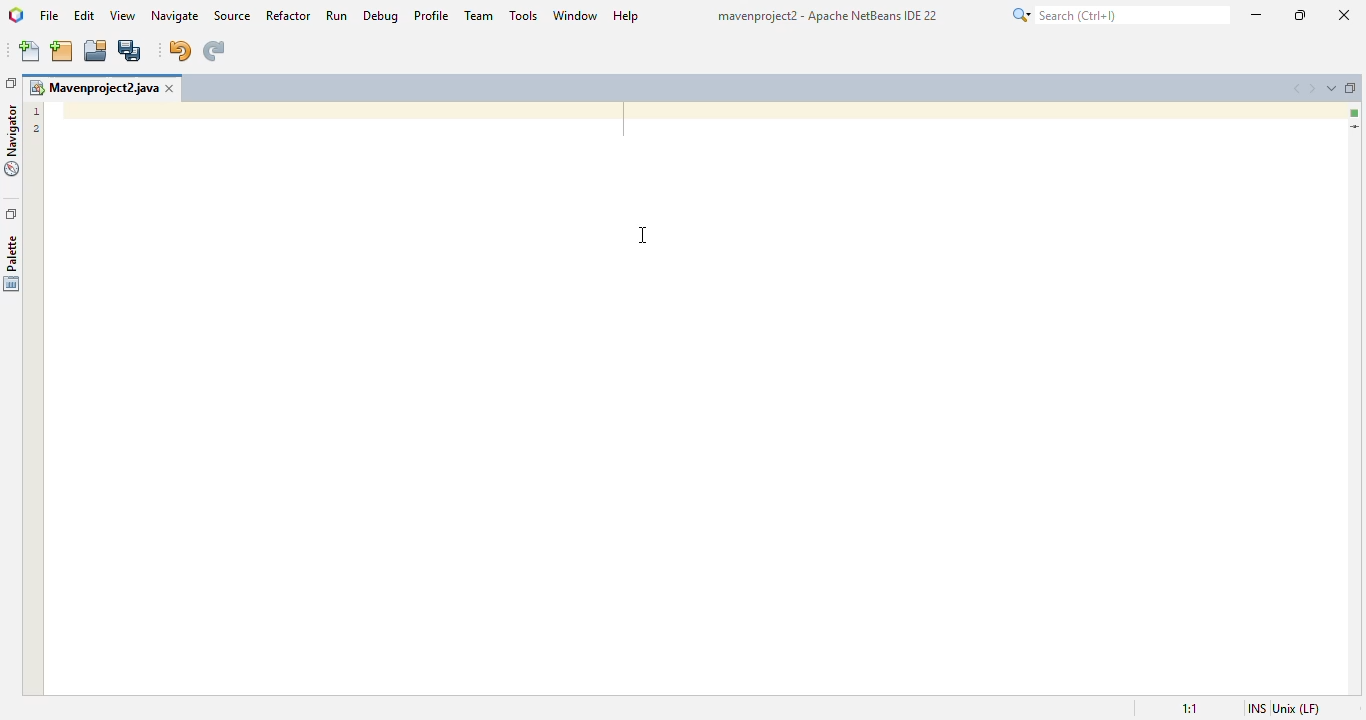 The image size is (1366, 720). Describe the element at coordinates (289, 16) in the screenshot. I see `refactor` at that location.